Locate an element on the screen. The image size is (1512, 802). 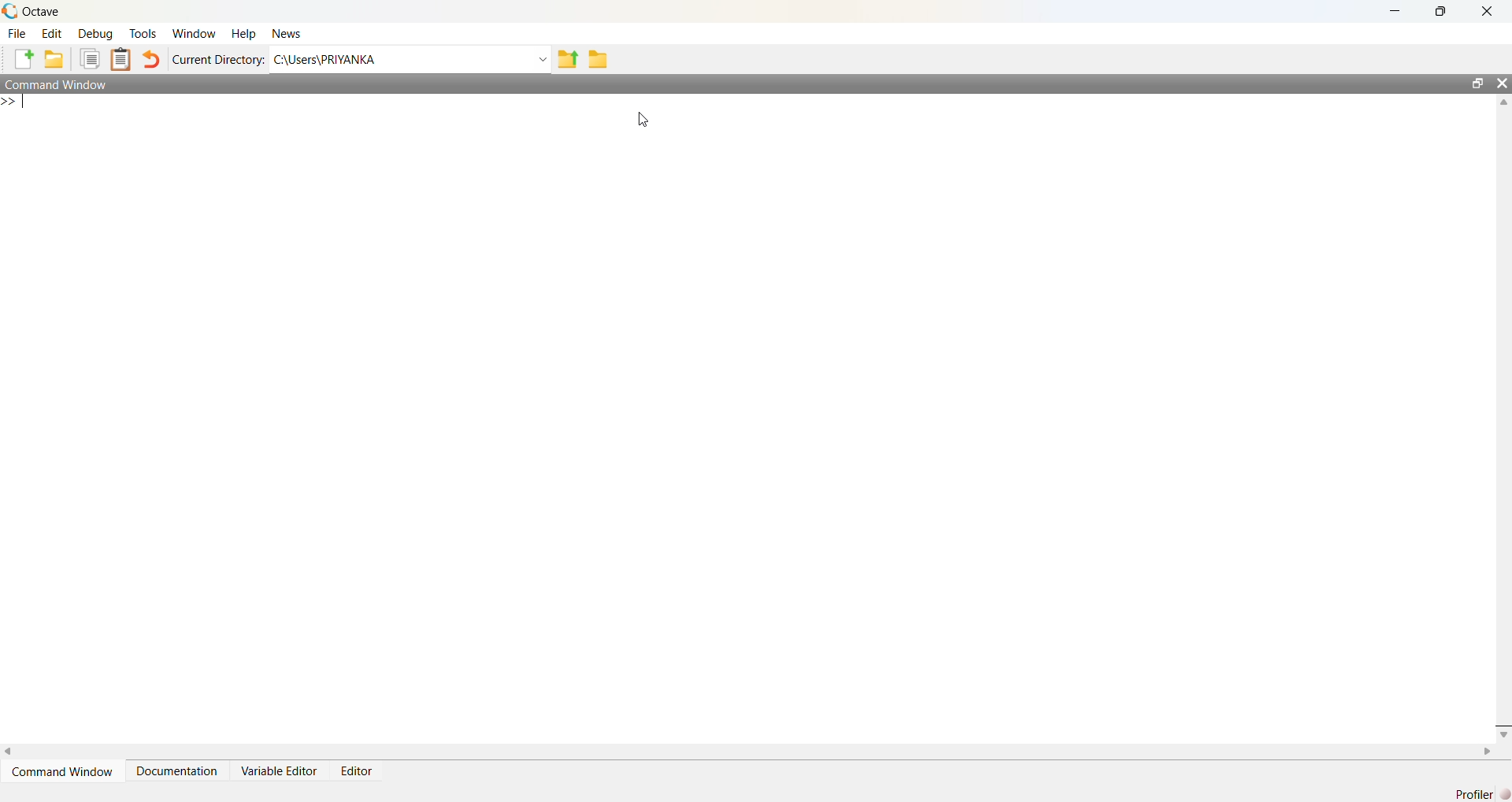
vertical scroll bar is located at coordinates (1502, 417).